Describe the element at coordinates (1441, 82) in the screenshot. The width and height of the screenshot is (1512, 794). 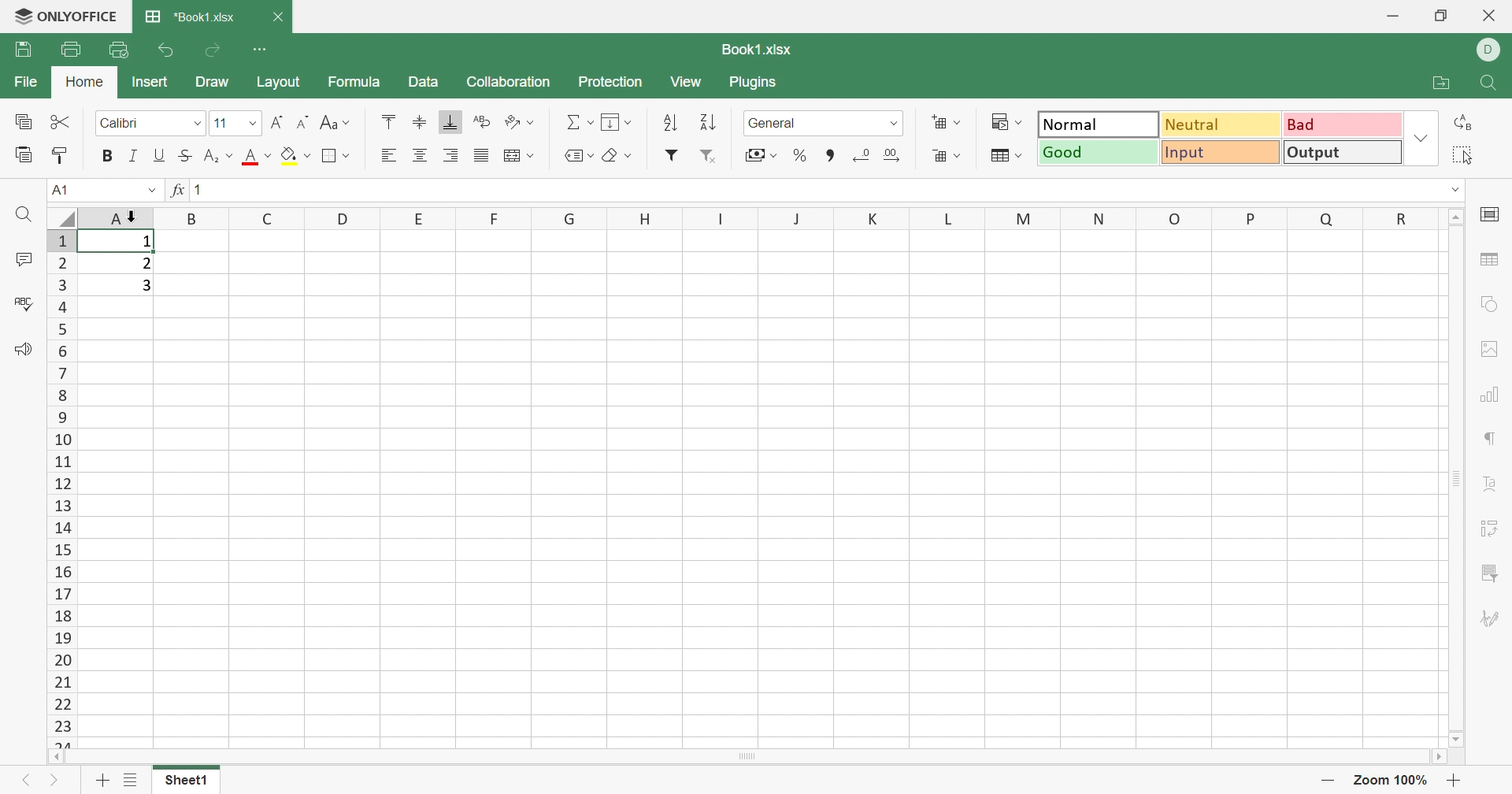
I see `Open file location` at that location.